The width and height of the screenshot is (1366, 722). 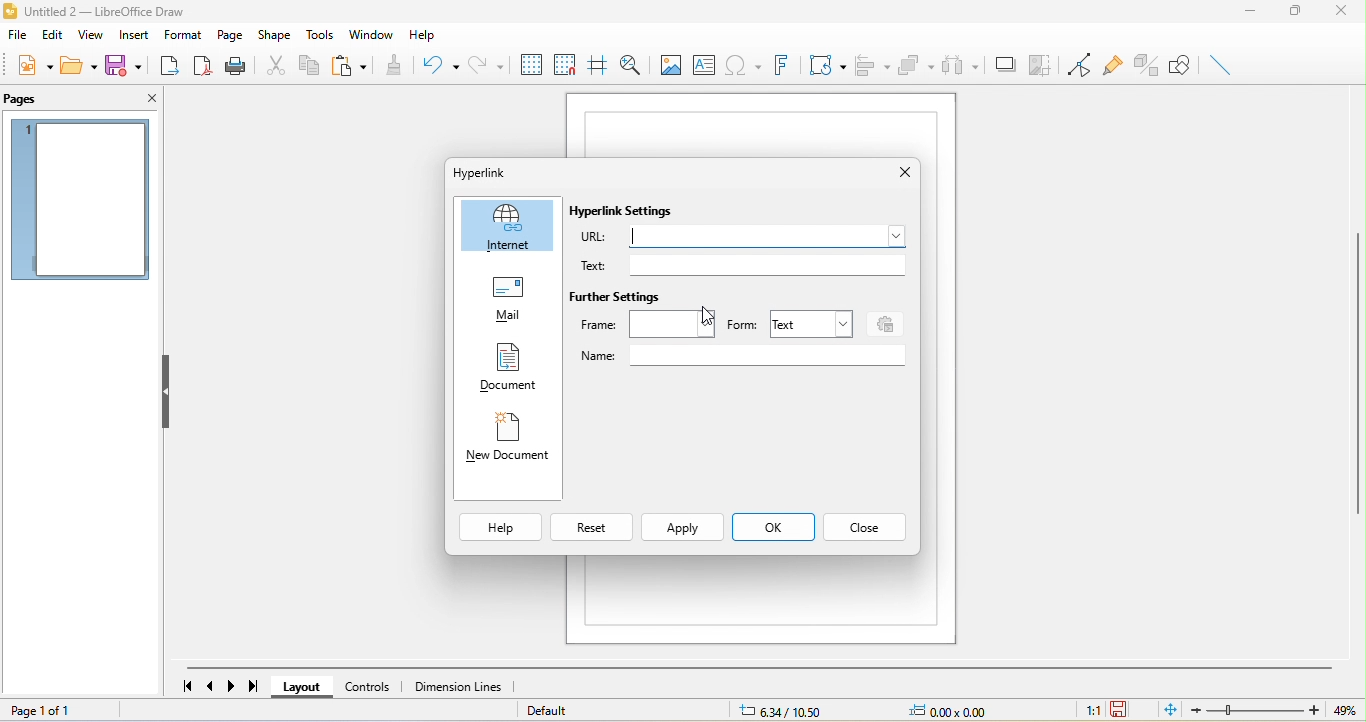 I want to click on minimize, so click(x=1250, y=11).